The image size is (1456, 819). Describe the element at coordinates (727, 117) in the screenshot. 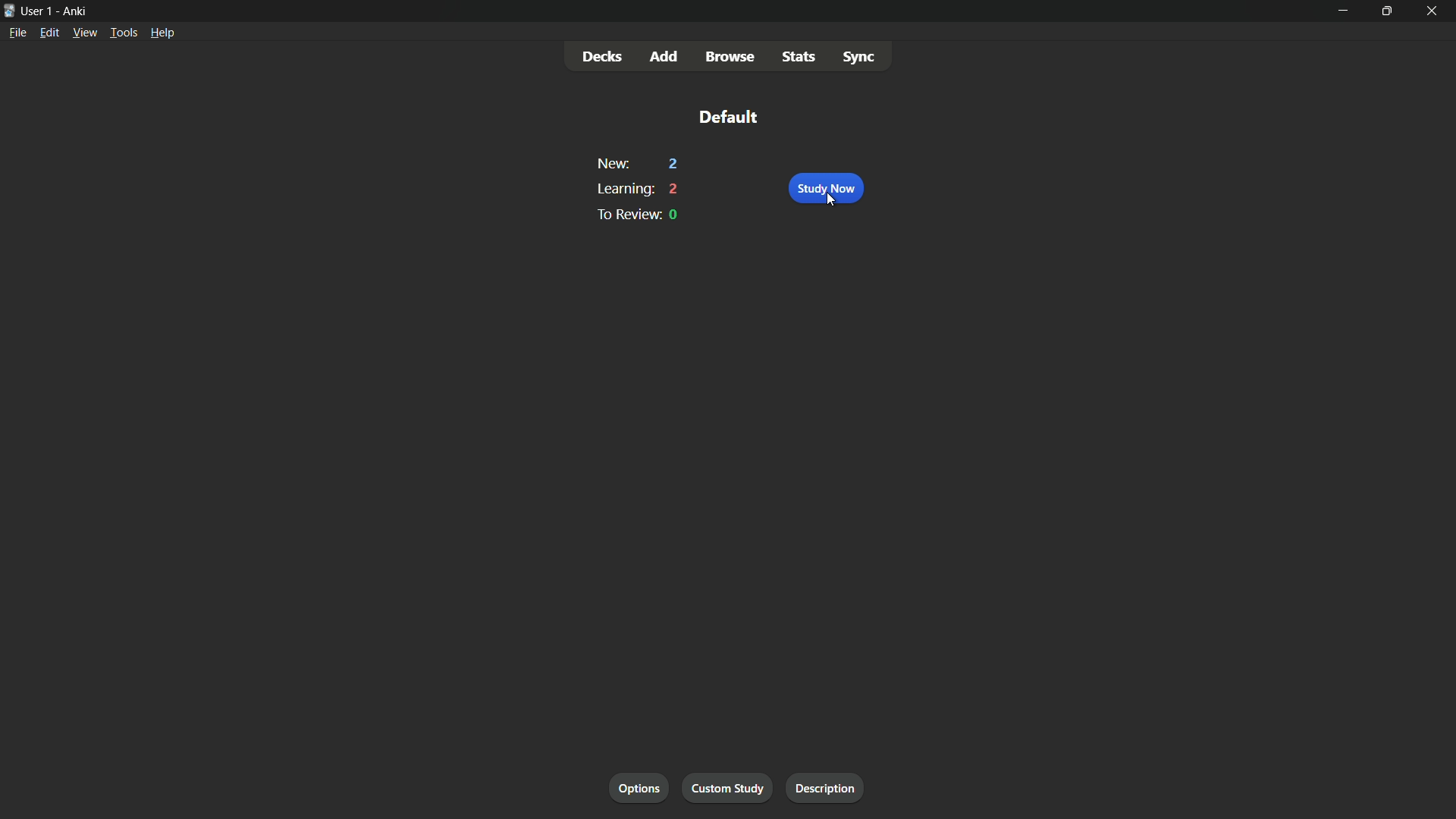

I see `Default` at that location.